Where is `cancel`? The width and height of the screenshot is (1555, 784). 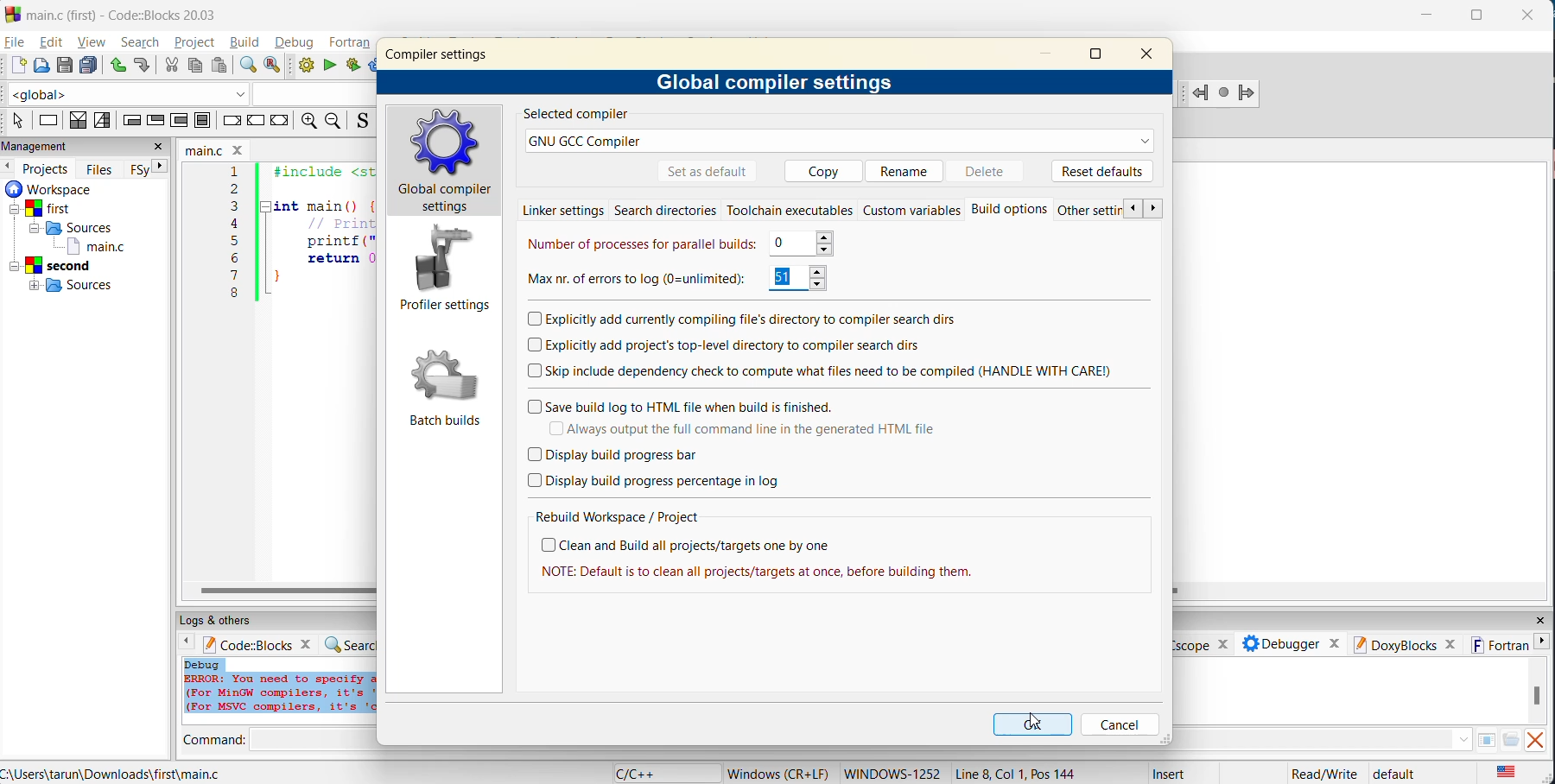
cancel is located at coordinates (1117, 724).